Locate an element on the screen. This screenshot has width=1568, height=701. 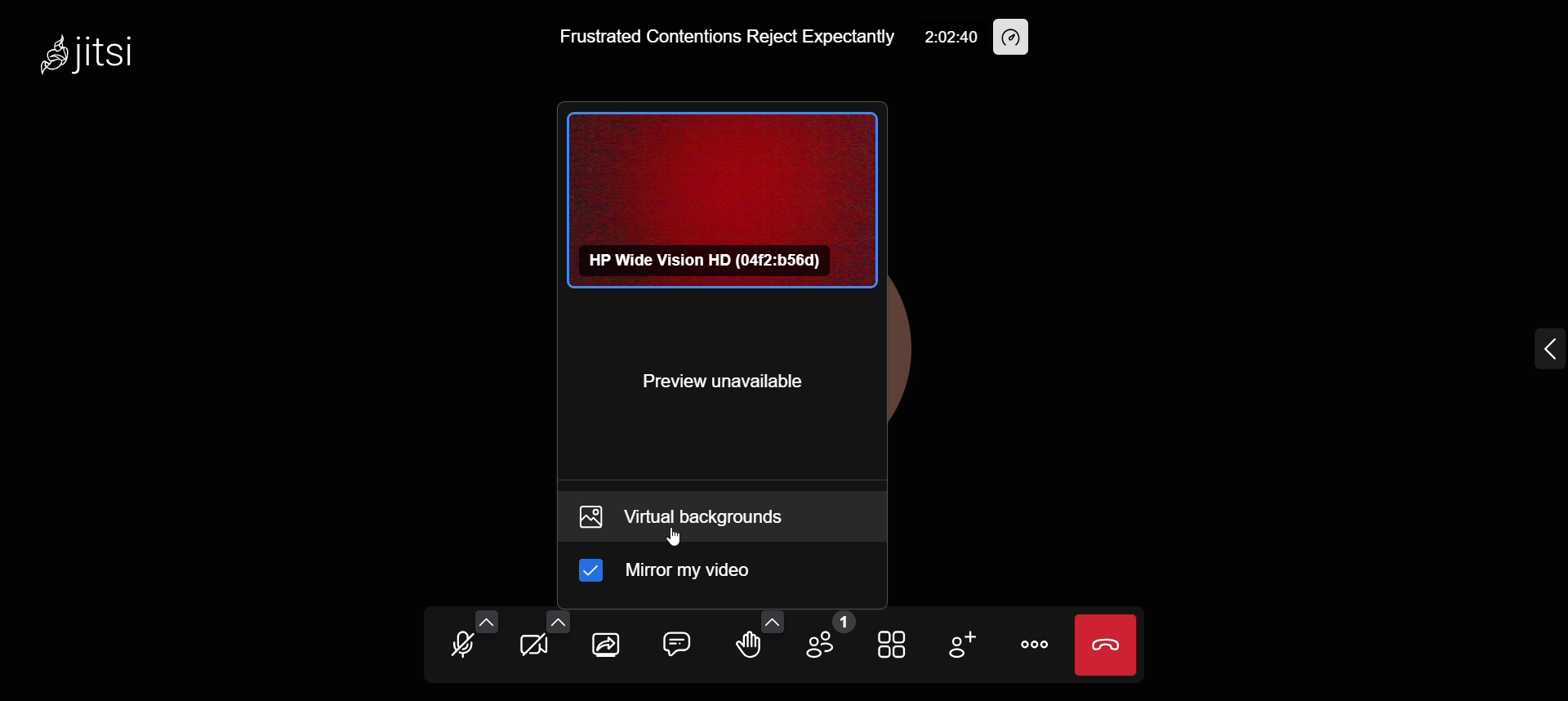
more actions is located at coordinates (1029, 643).